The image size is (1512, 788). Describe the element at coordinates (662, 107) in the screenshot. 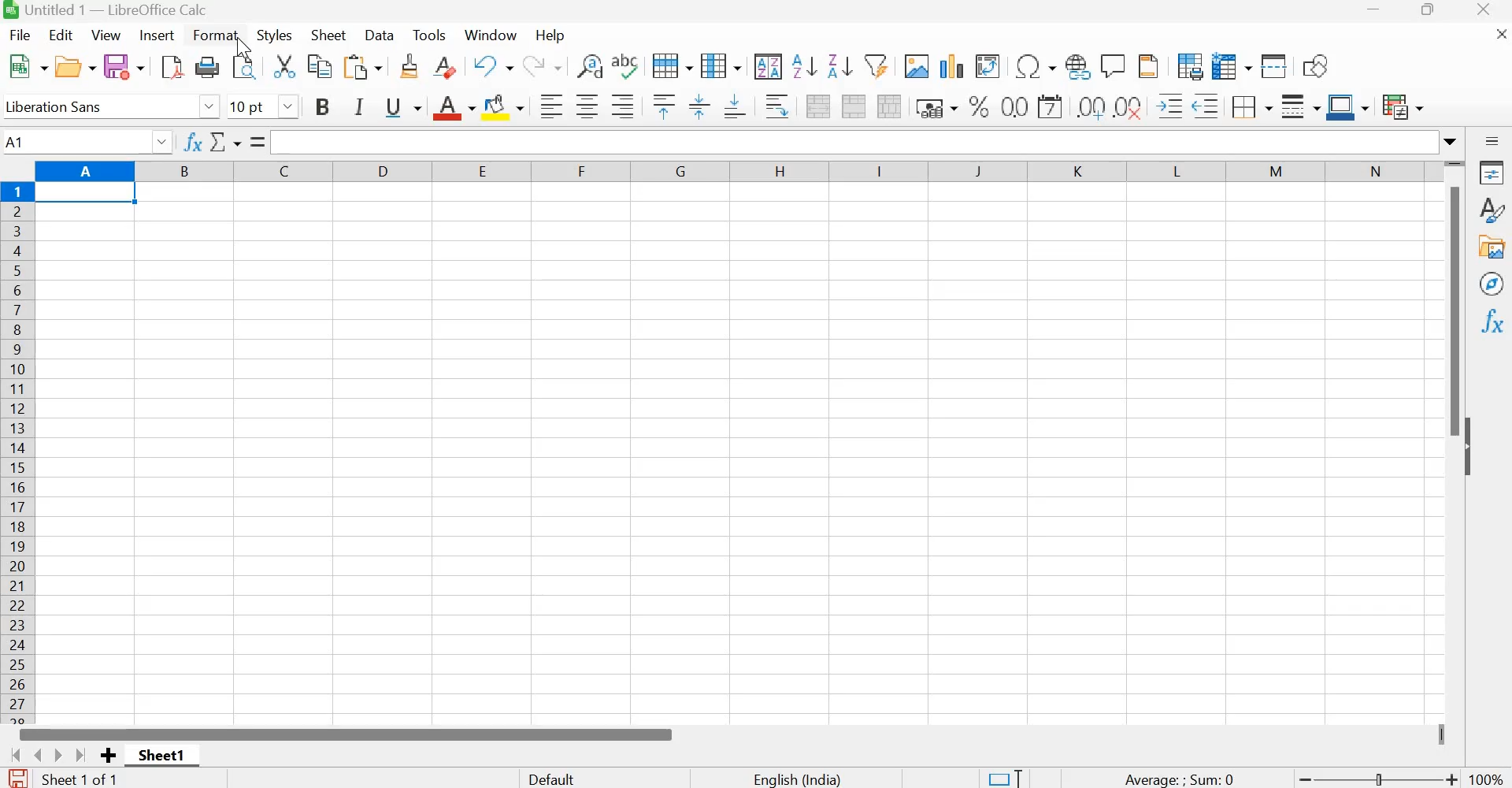

I see `Align top` at that location.